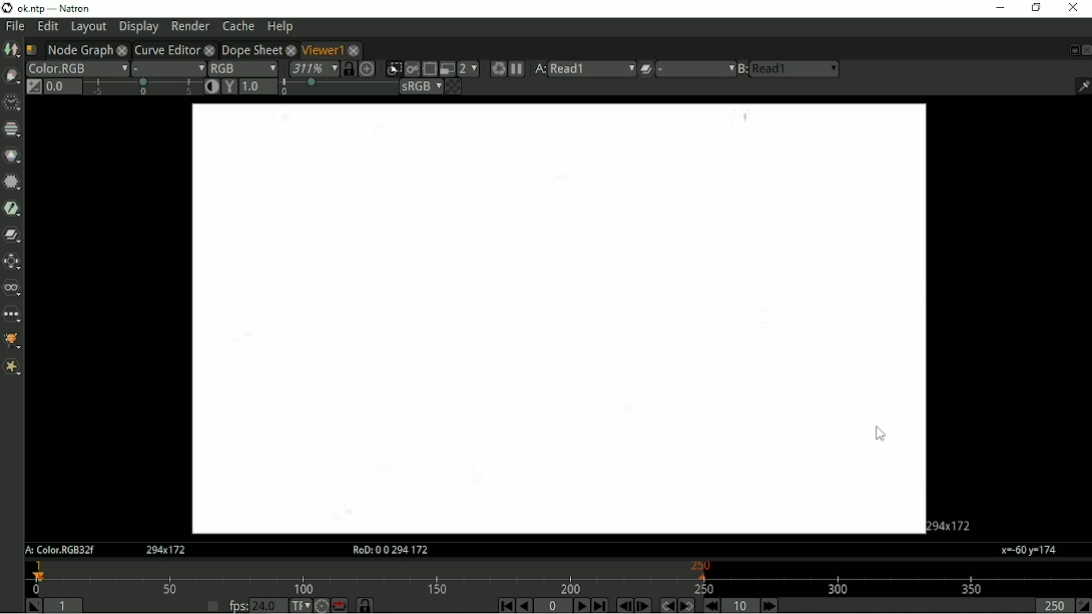  I want to click on Curve Editor, so click(168, 48).